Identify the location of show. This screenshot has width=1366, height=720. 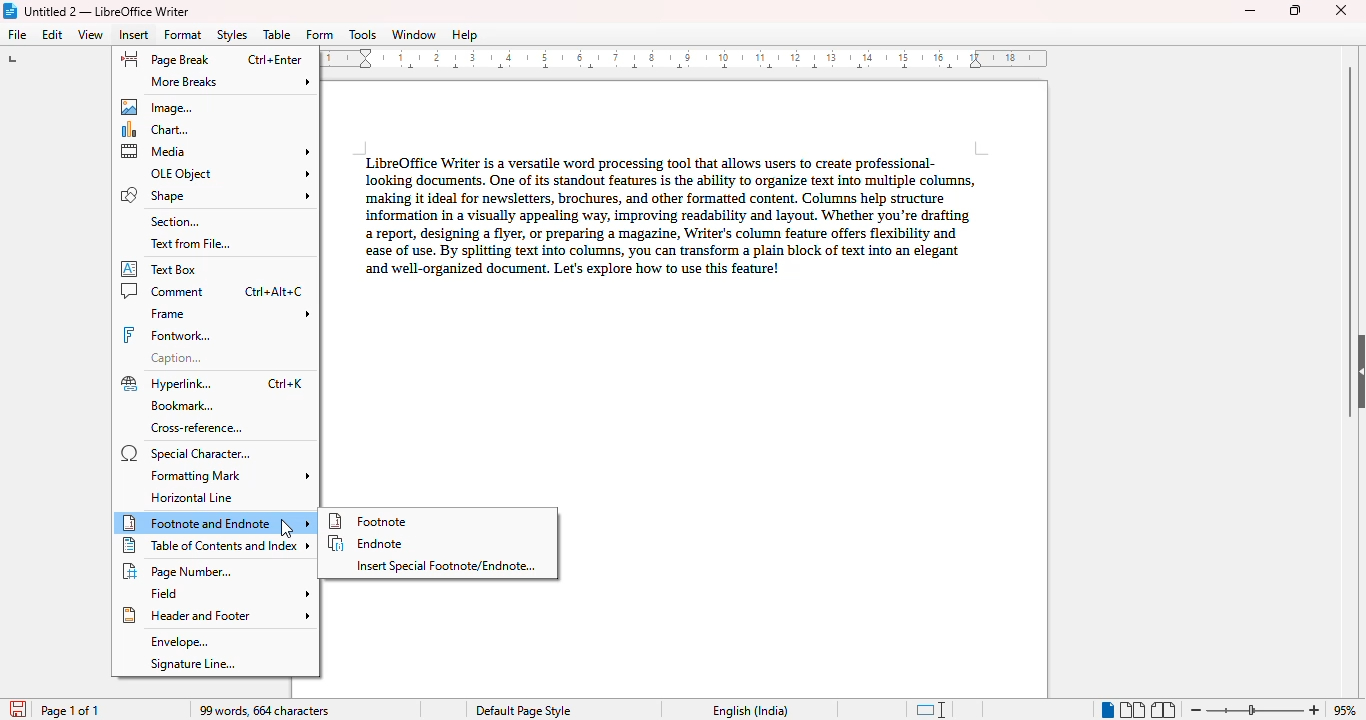
(1357, 371).